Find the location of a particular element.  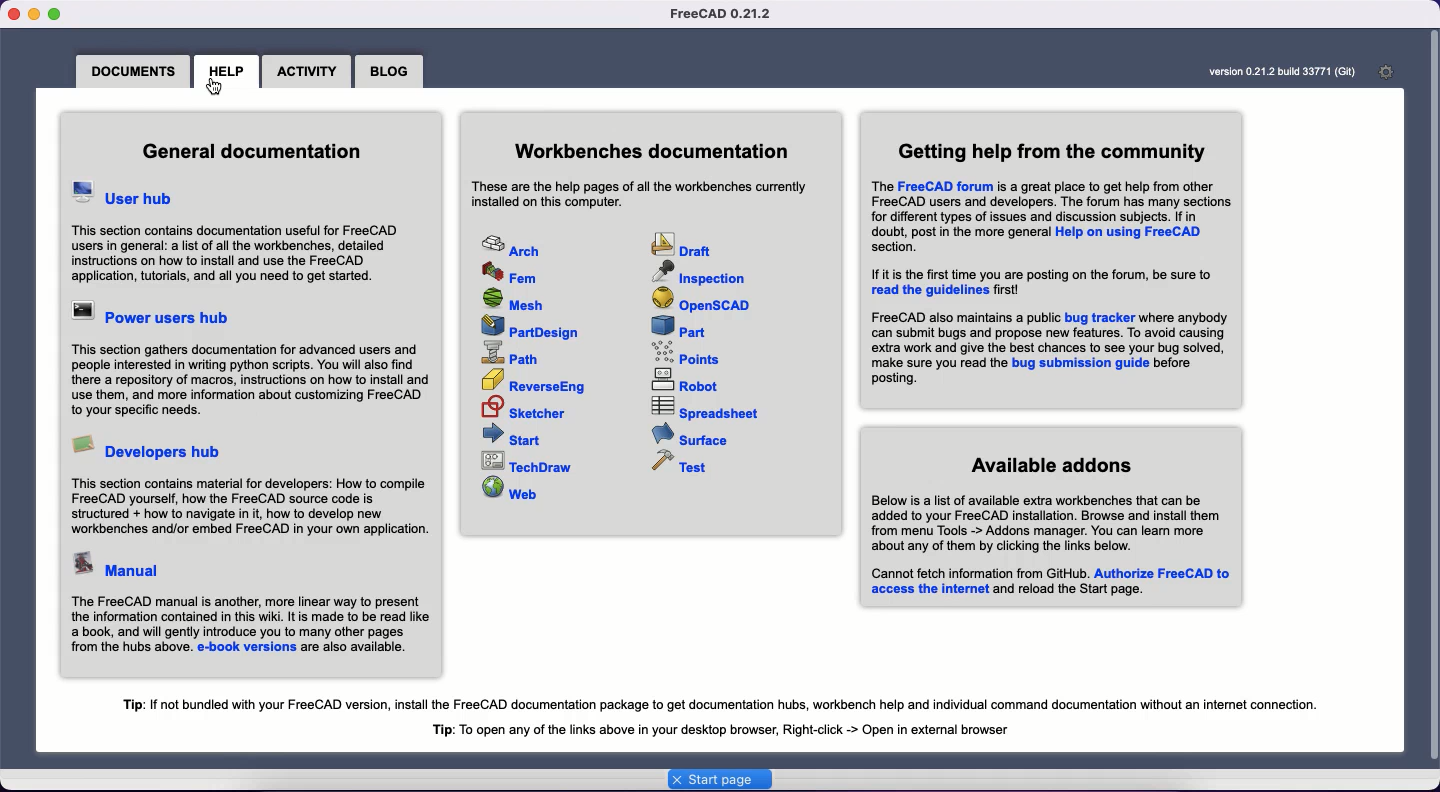

Sketcher is located at coordinates (530, 407).